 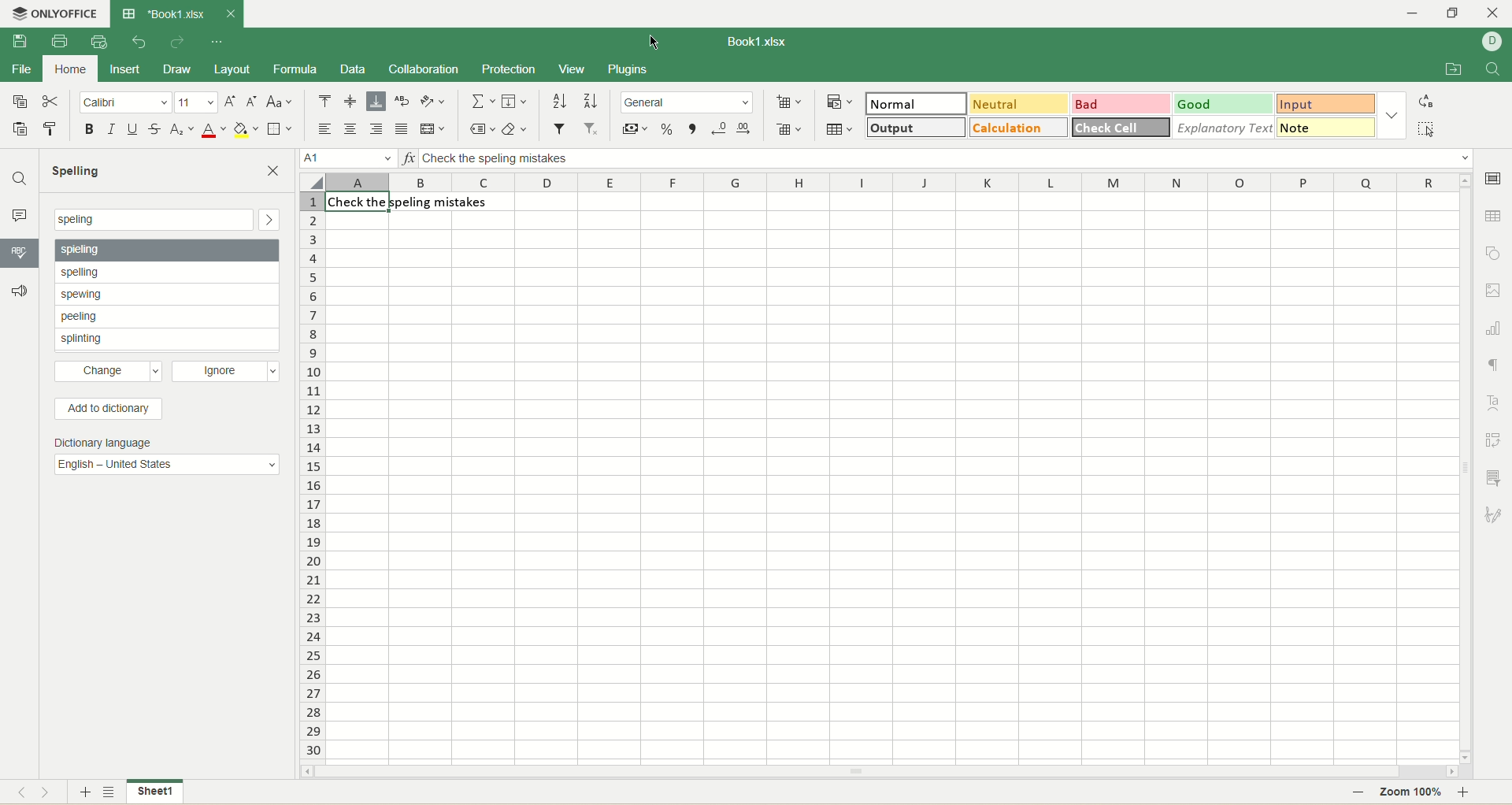 I want to click on paste, so click(x=20, y=128).